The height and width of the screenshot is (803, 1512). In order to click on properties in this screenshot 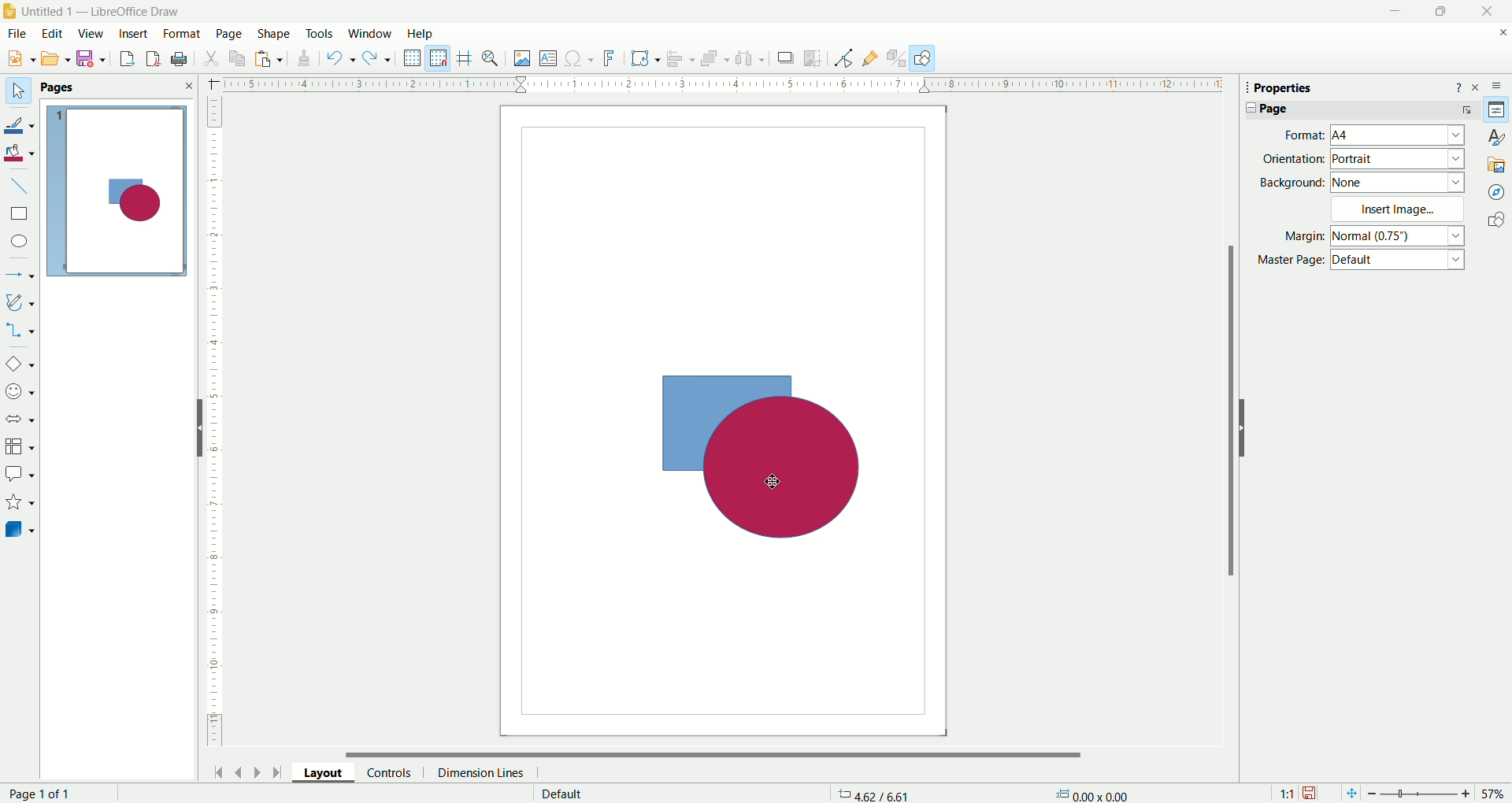, I will do `click(1294, 89)`.